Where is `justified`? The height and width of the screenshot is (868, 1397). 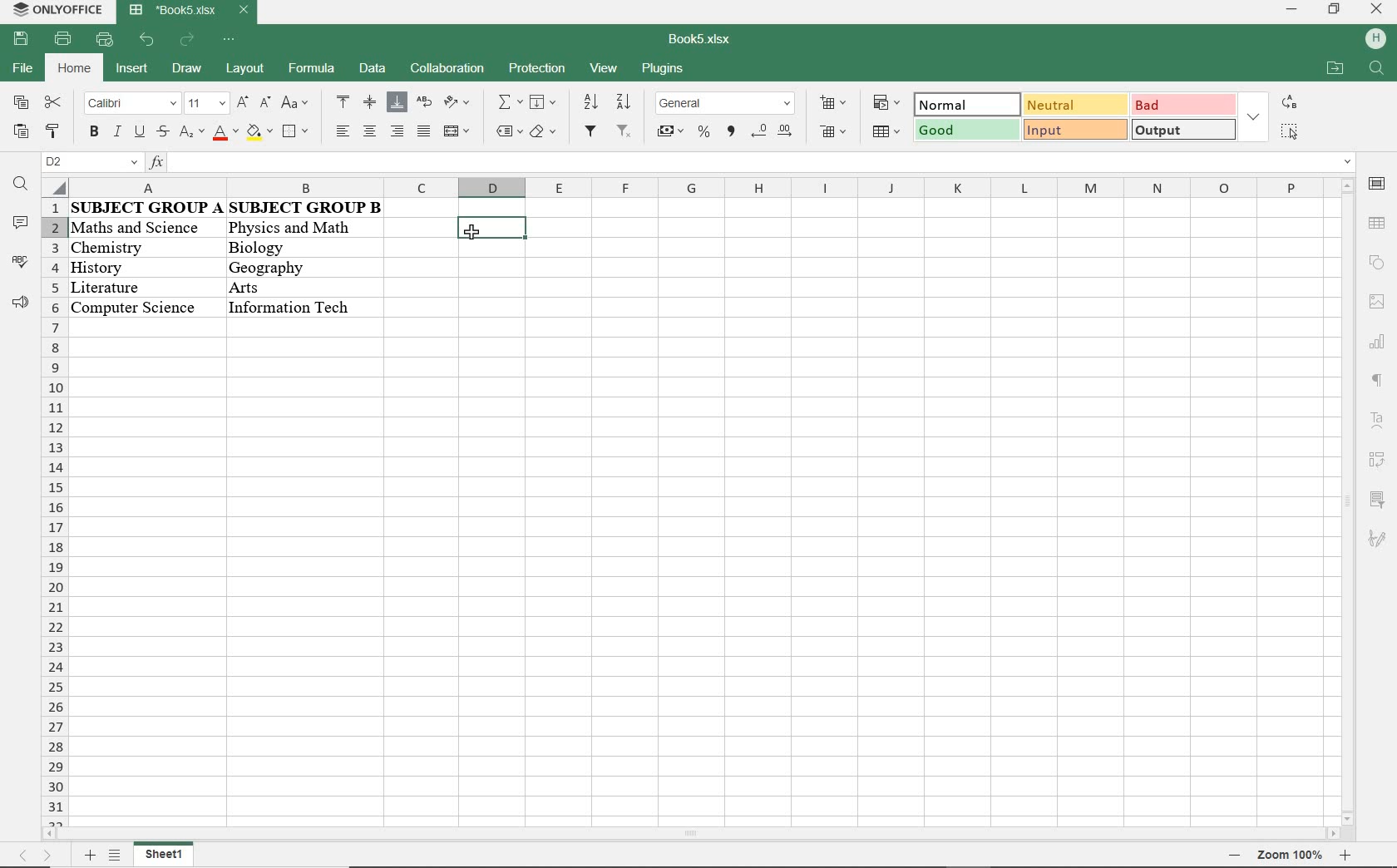 justified is located at coordinates (422, 132).